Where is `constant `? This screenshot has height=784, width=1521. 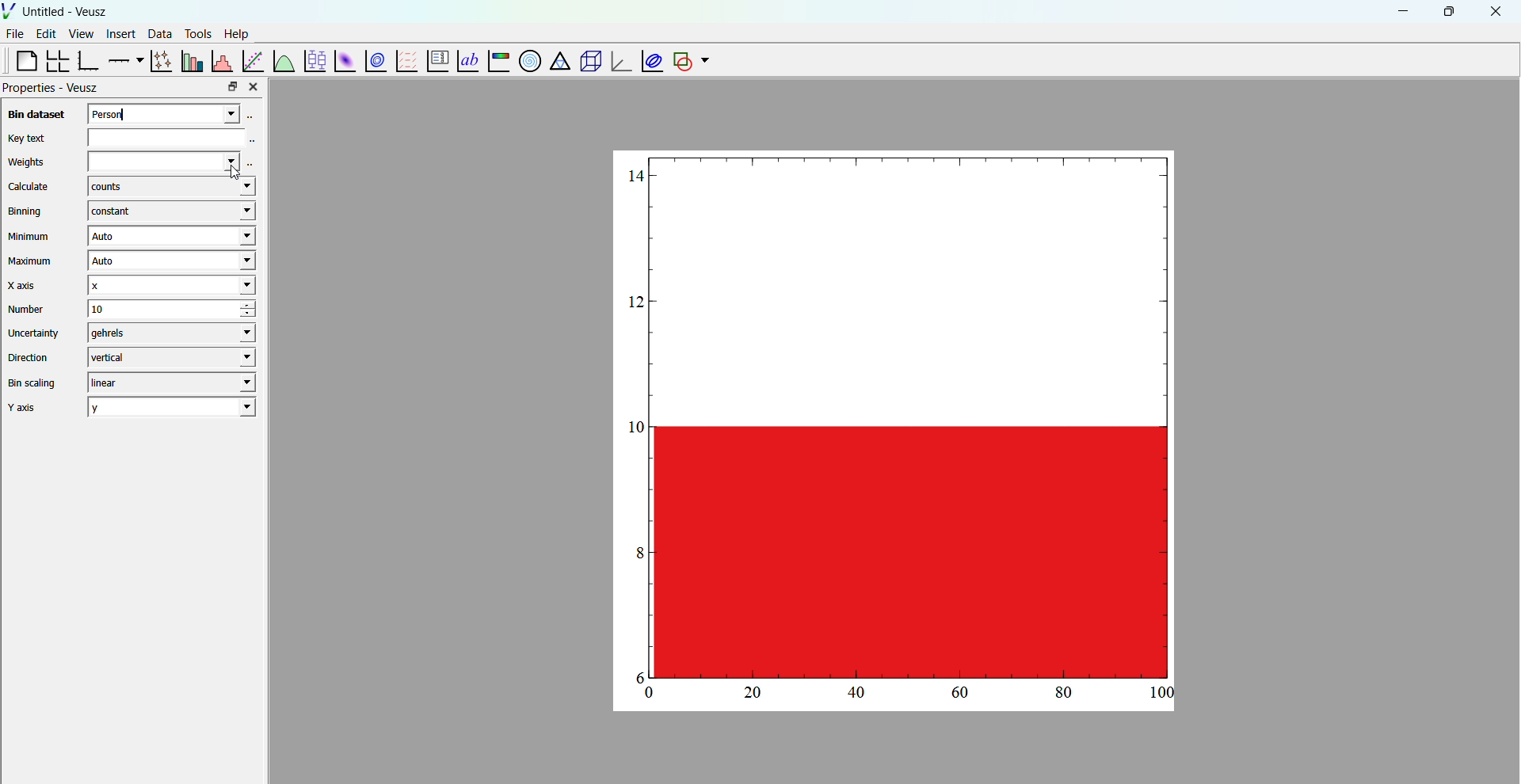 constant  is located at coordinates (168, 211).